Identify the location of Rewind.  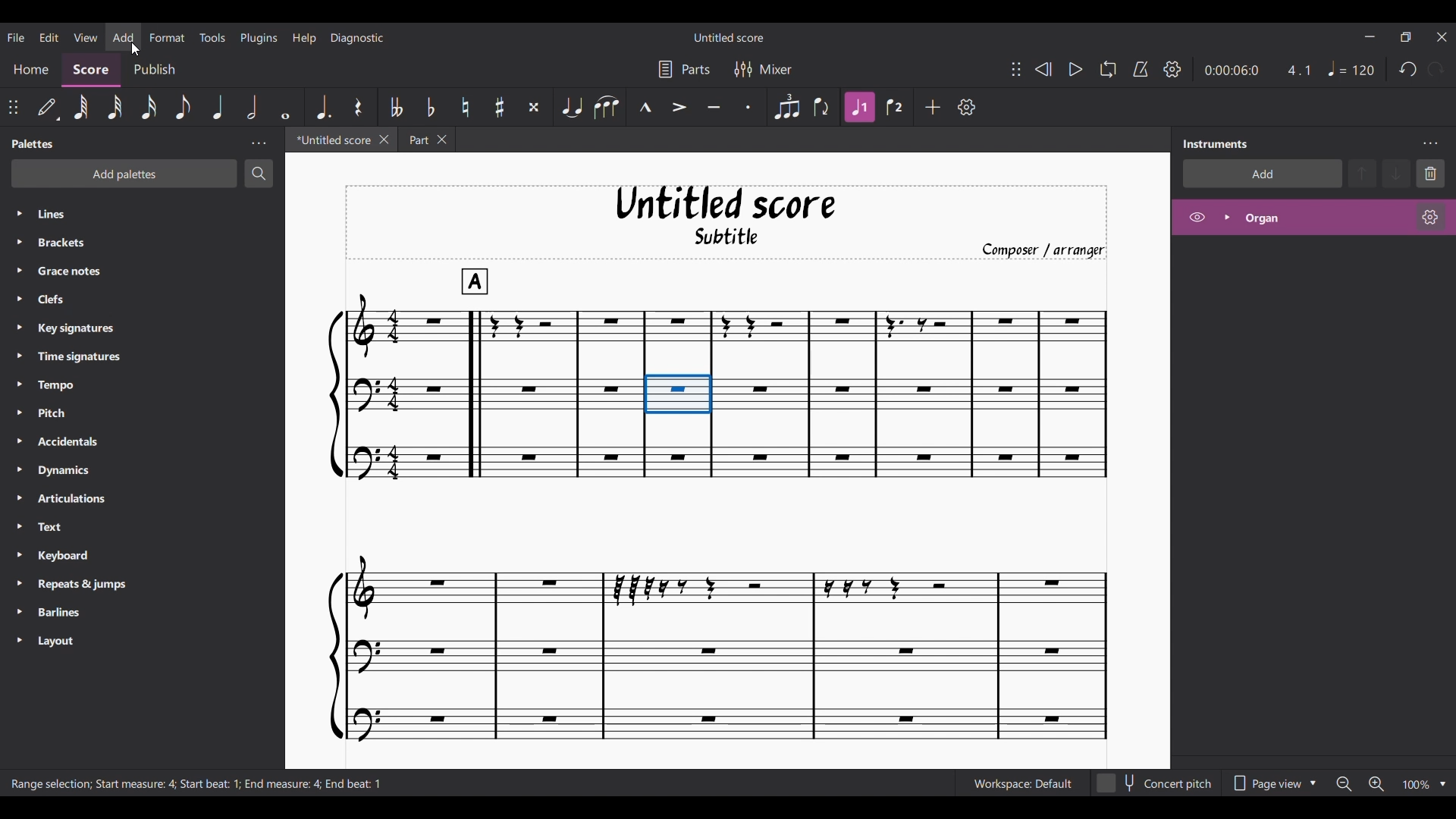
(1043, 69).